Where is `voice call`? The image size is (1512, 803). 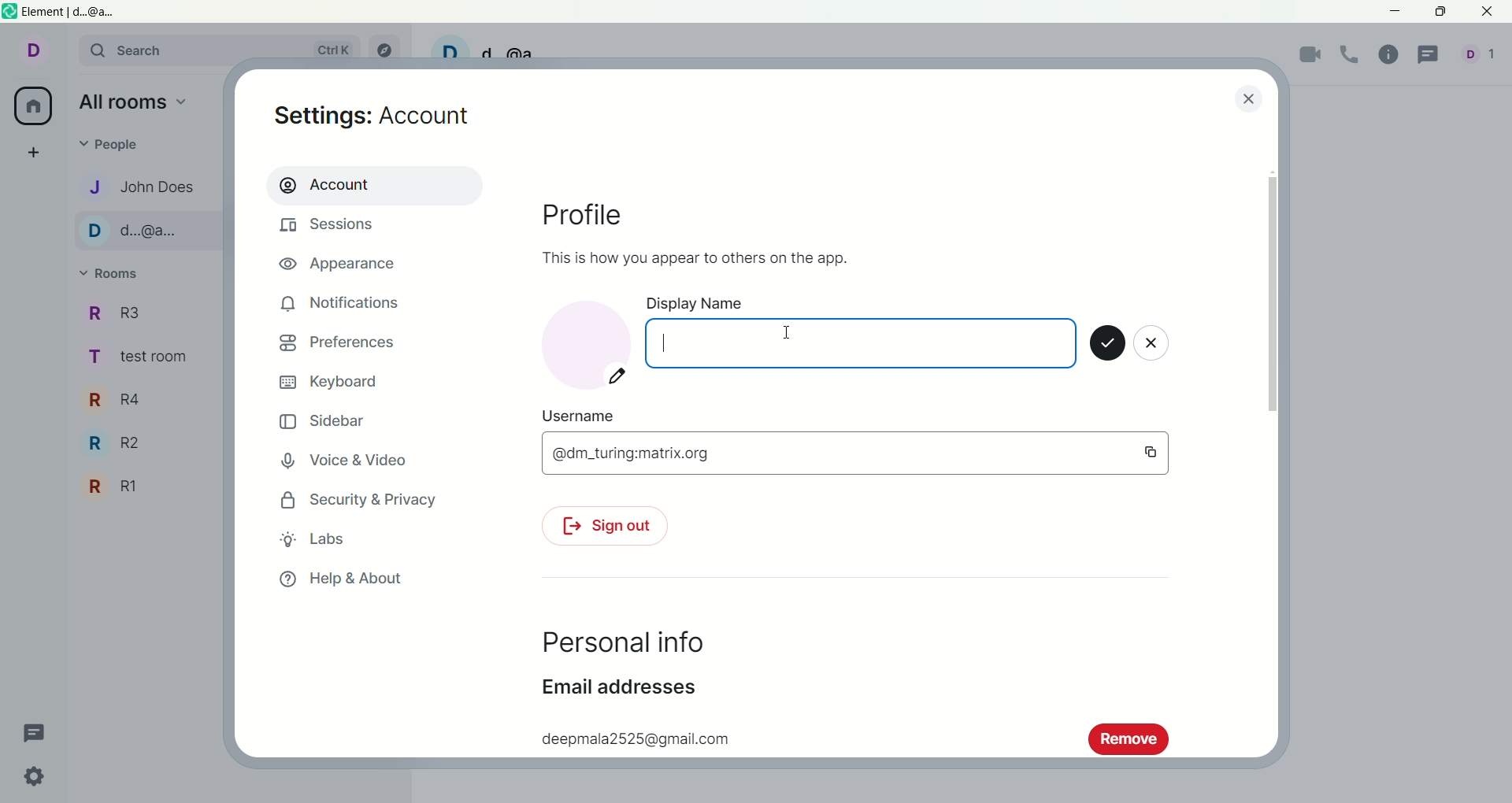 voice call is located at coordinates (1354, 55).